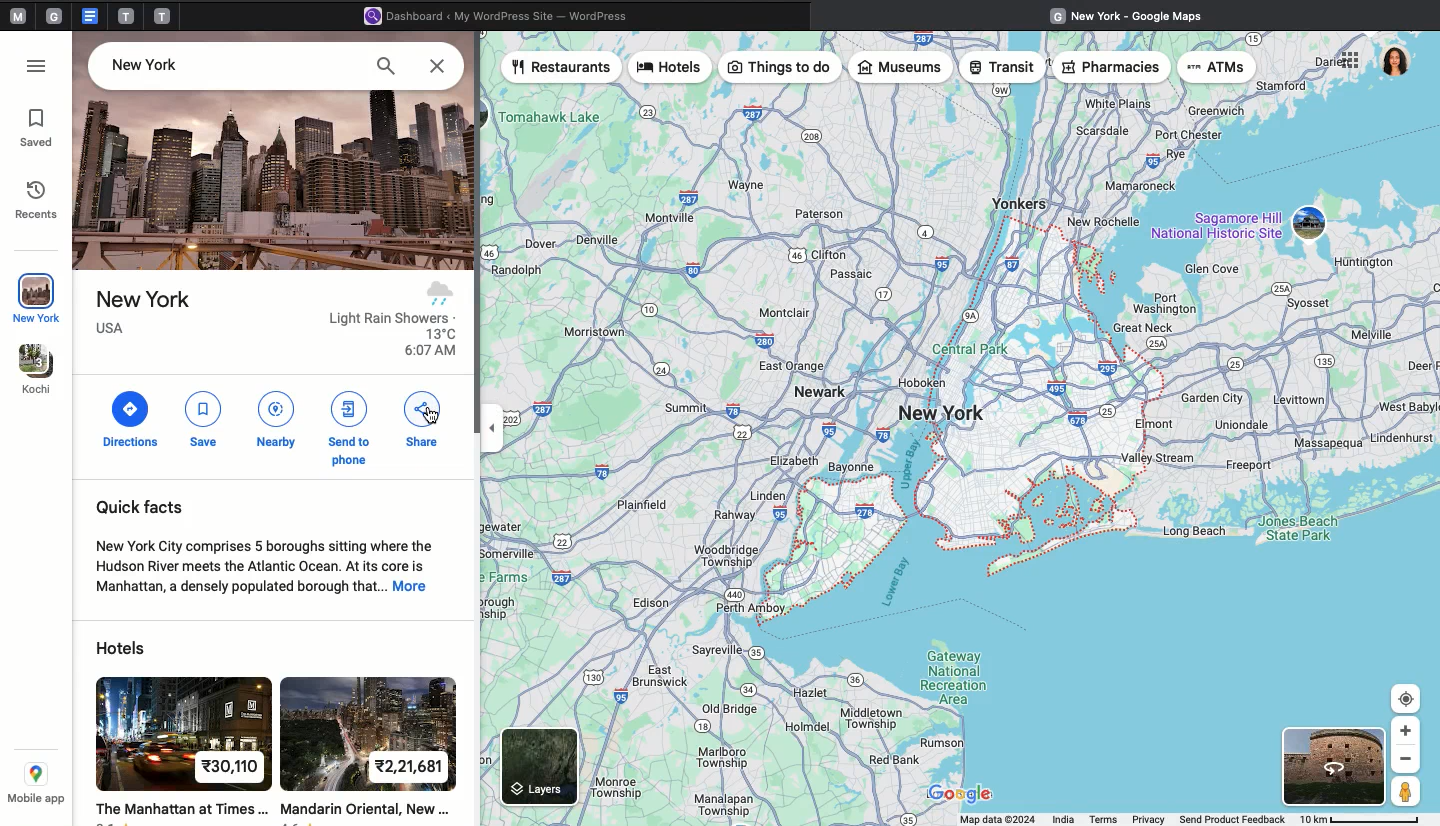 The width and height of the screenshot is (1440, 826). What do you see at coordinates (35, 785) in the screenshot?
I see `Mobile app` at bounding box center [35, 785].